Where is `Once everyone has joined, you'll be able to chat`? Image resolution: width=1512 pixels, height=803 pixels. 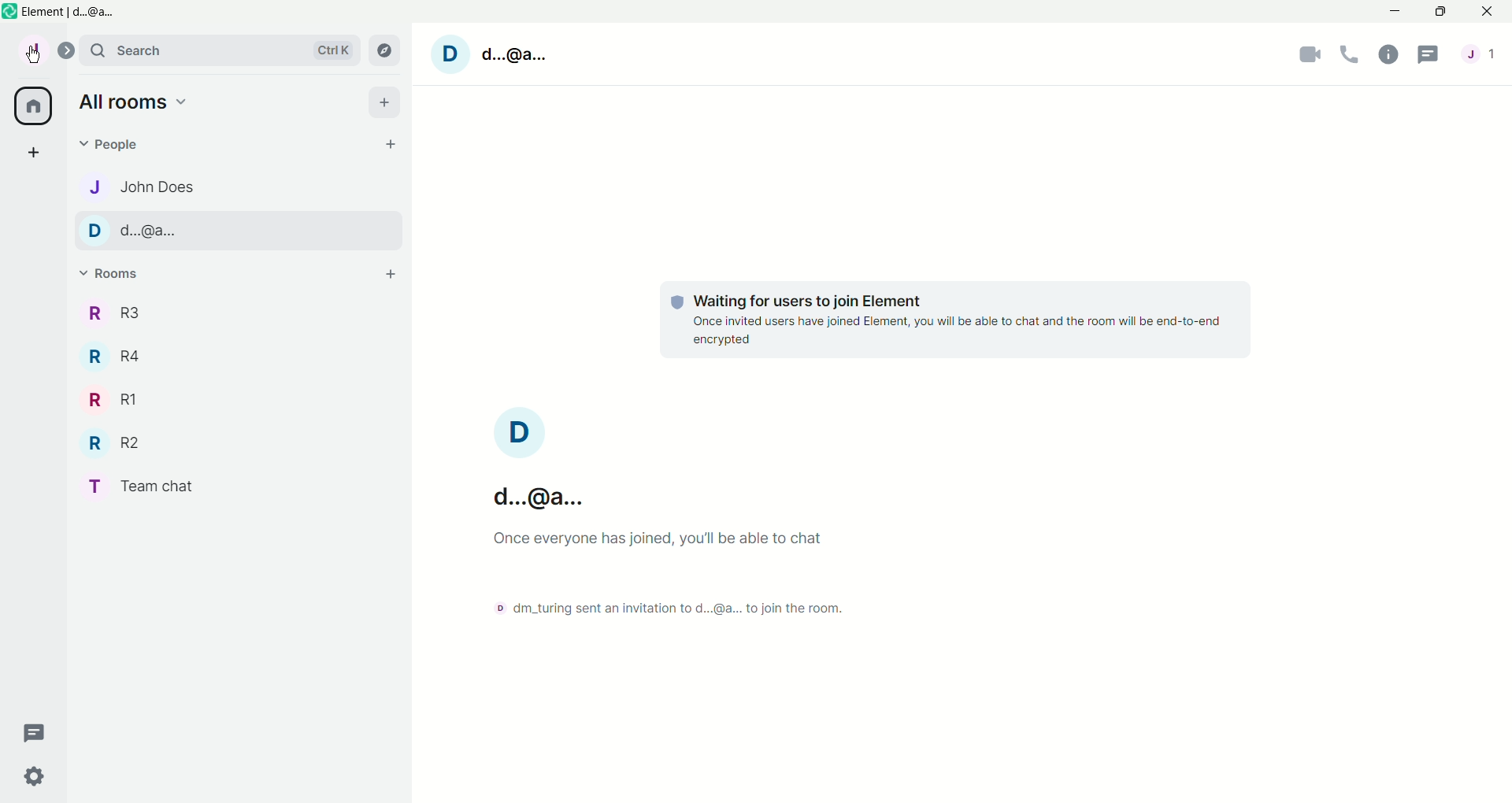
Once everyone has joined, you'll be able to chat is located at coordinates (658, 539).